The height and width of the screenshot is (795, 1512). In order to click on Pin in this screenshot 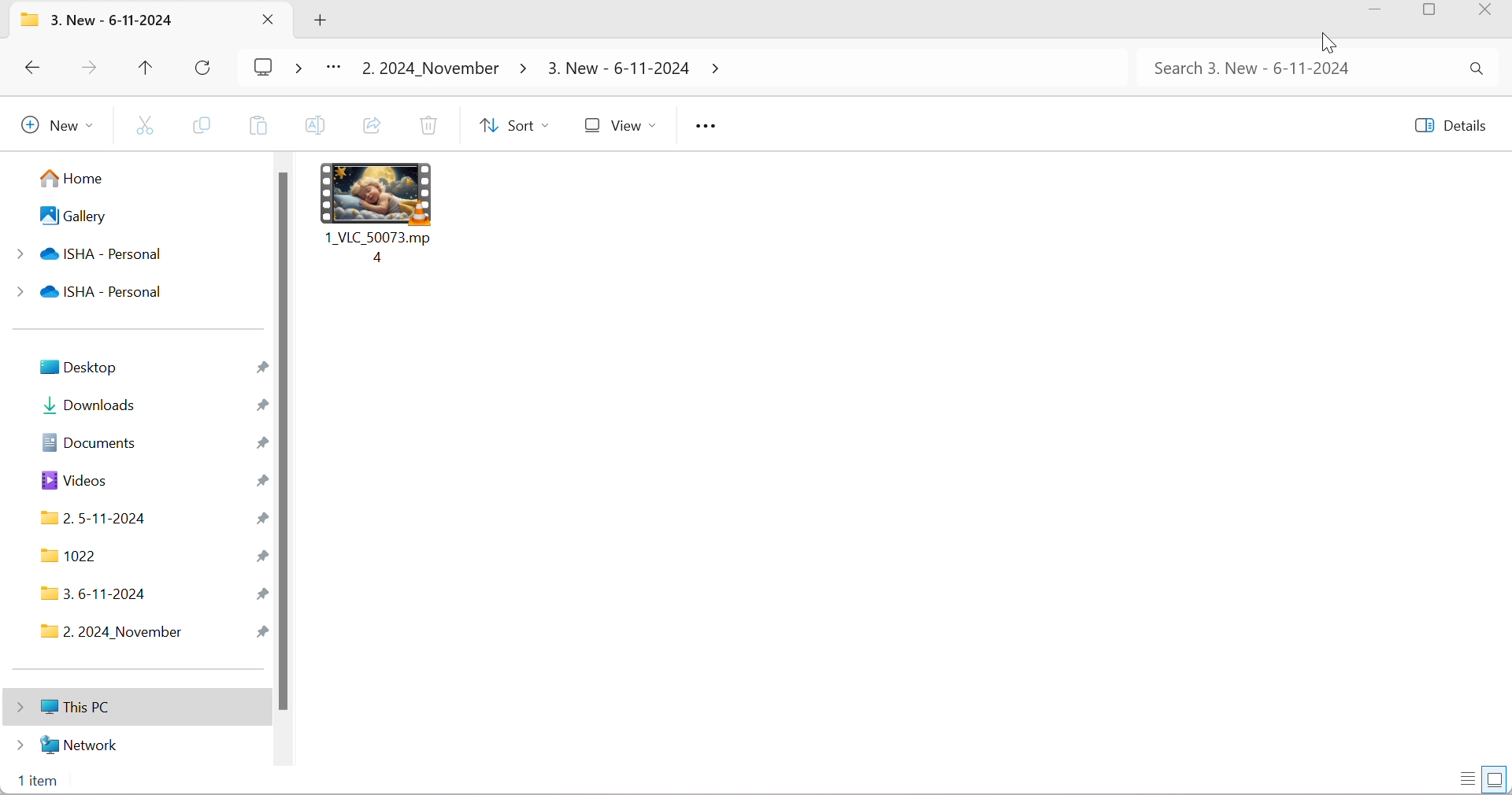, I will do `click(265, 405)`.